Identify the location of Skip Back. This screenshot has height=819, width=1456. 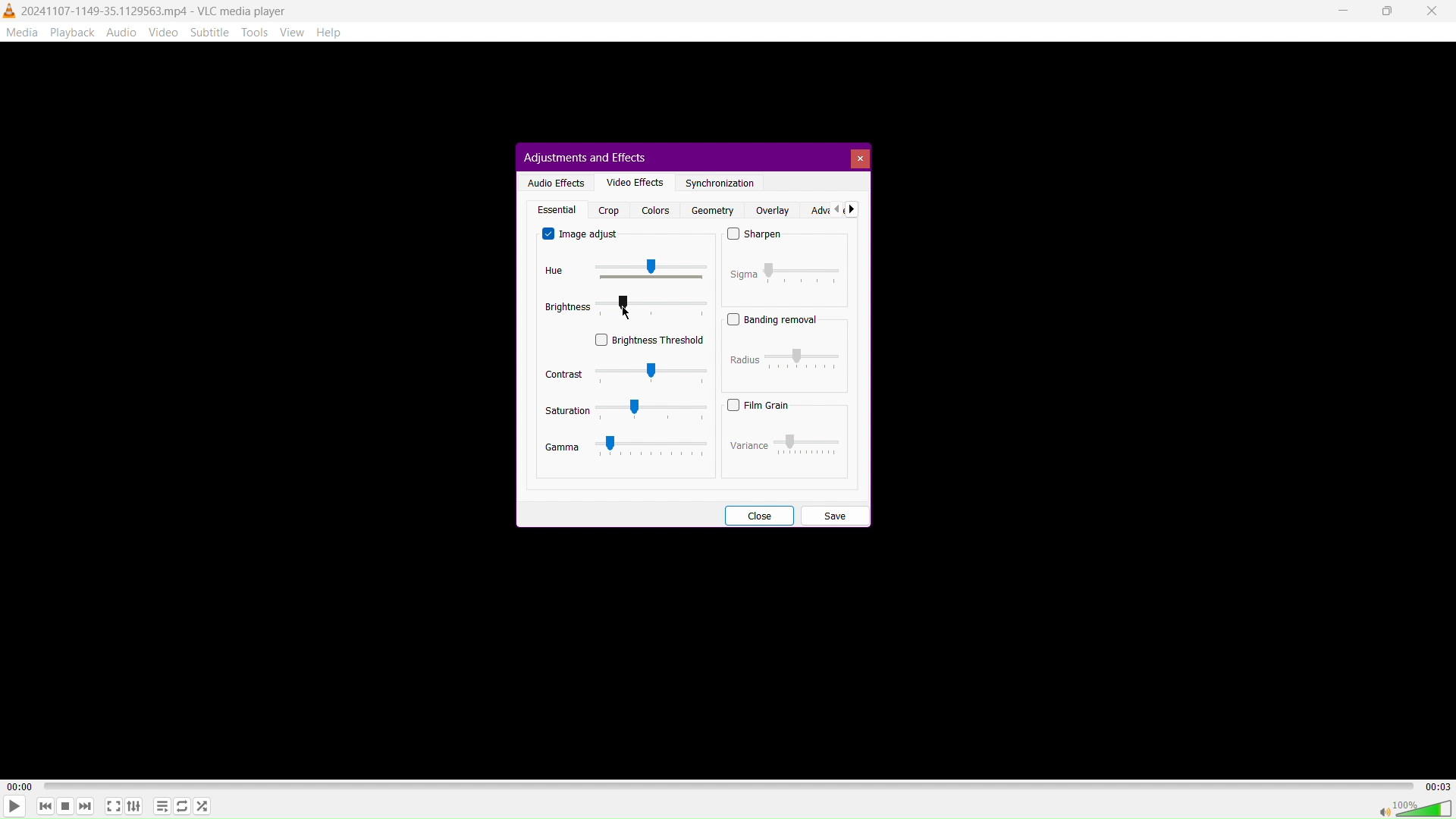
(44, 807).